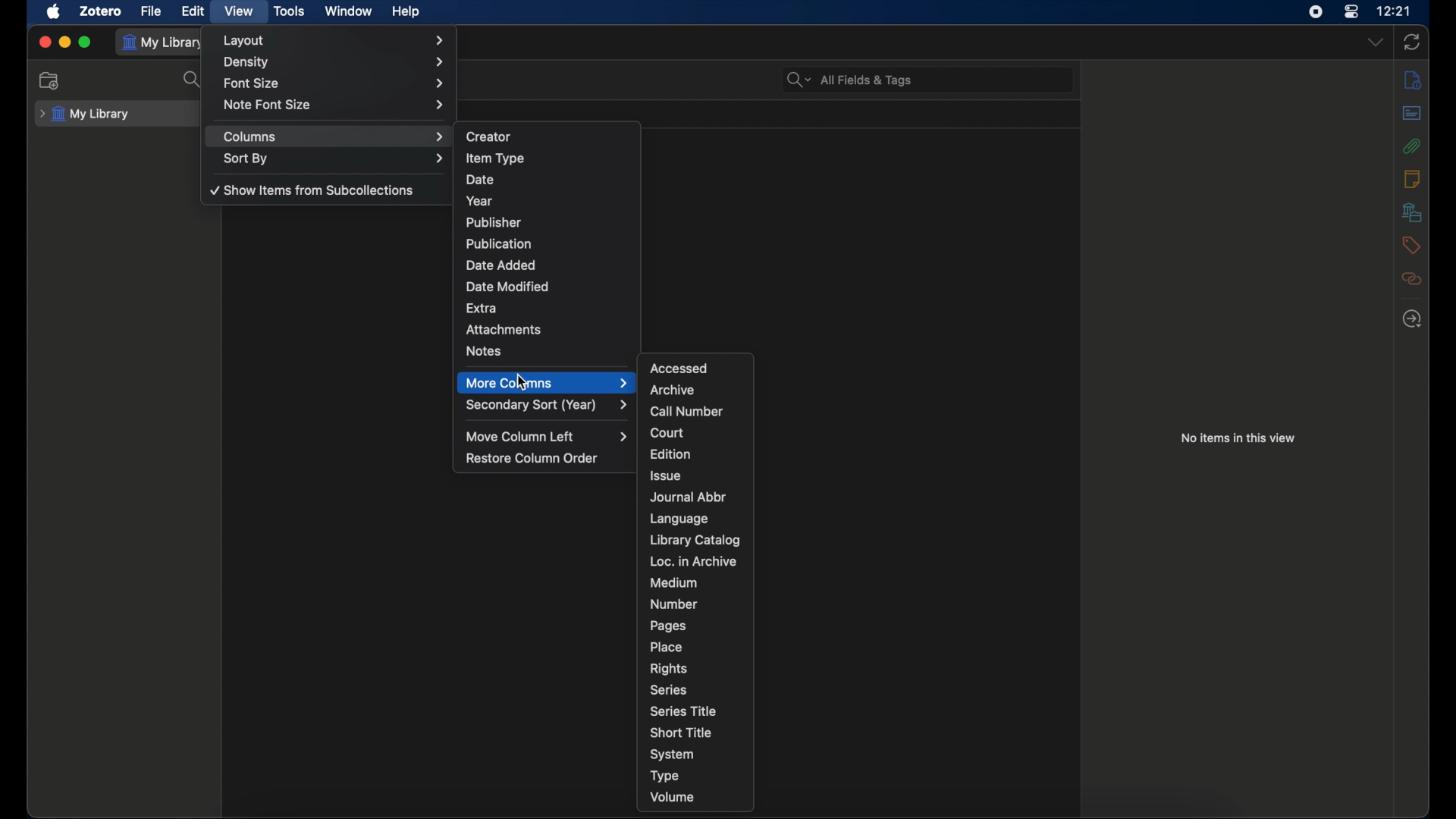  What do you see at coordinates (481, 309) in the screenshot?
I see `extra` at bounding box center [481, 309].